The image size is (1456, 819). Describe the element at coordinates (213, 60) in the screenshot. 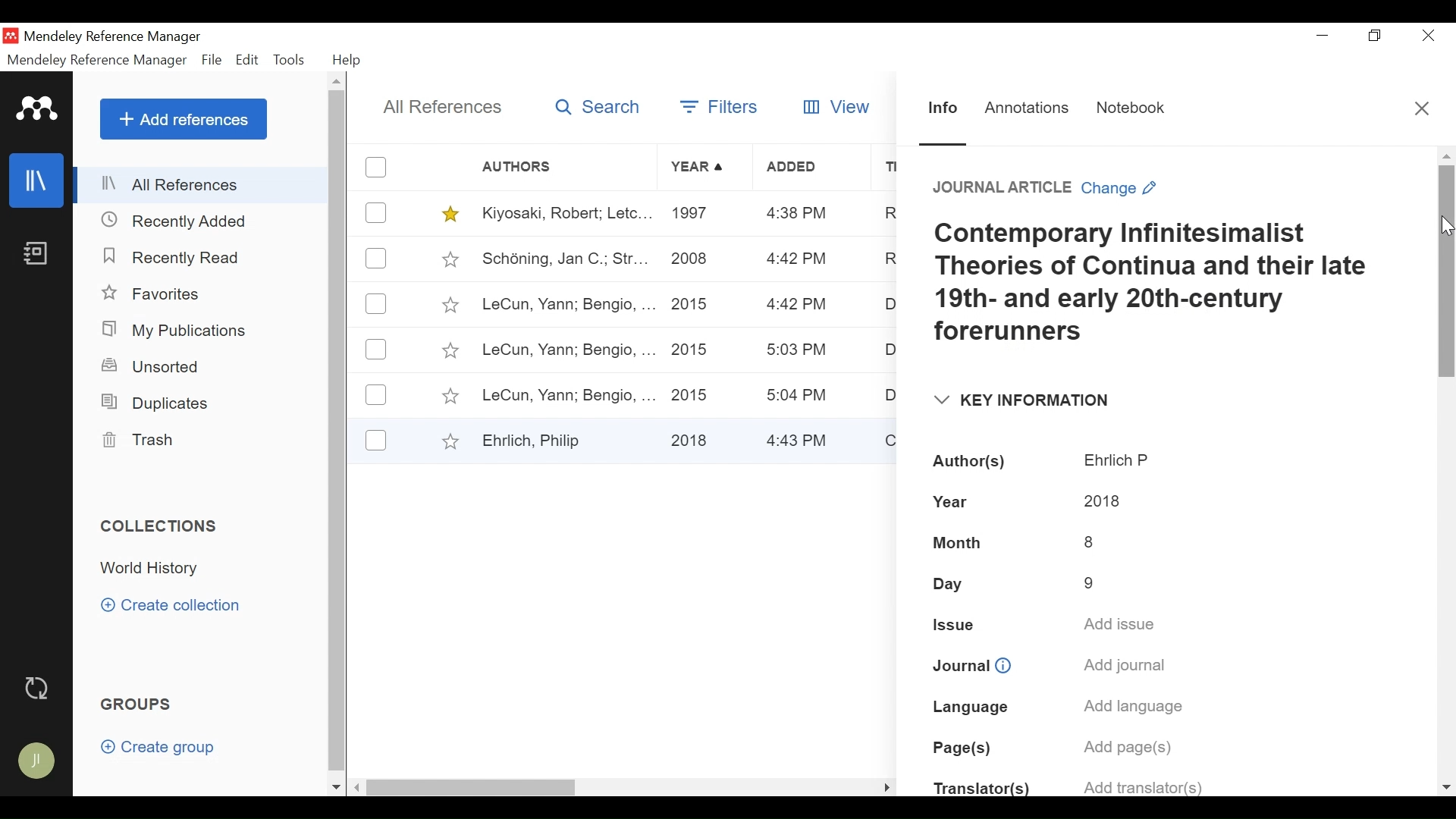

I see `File` at that location.